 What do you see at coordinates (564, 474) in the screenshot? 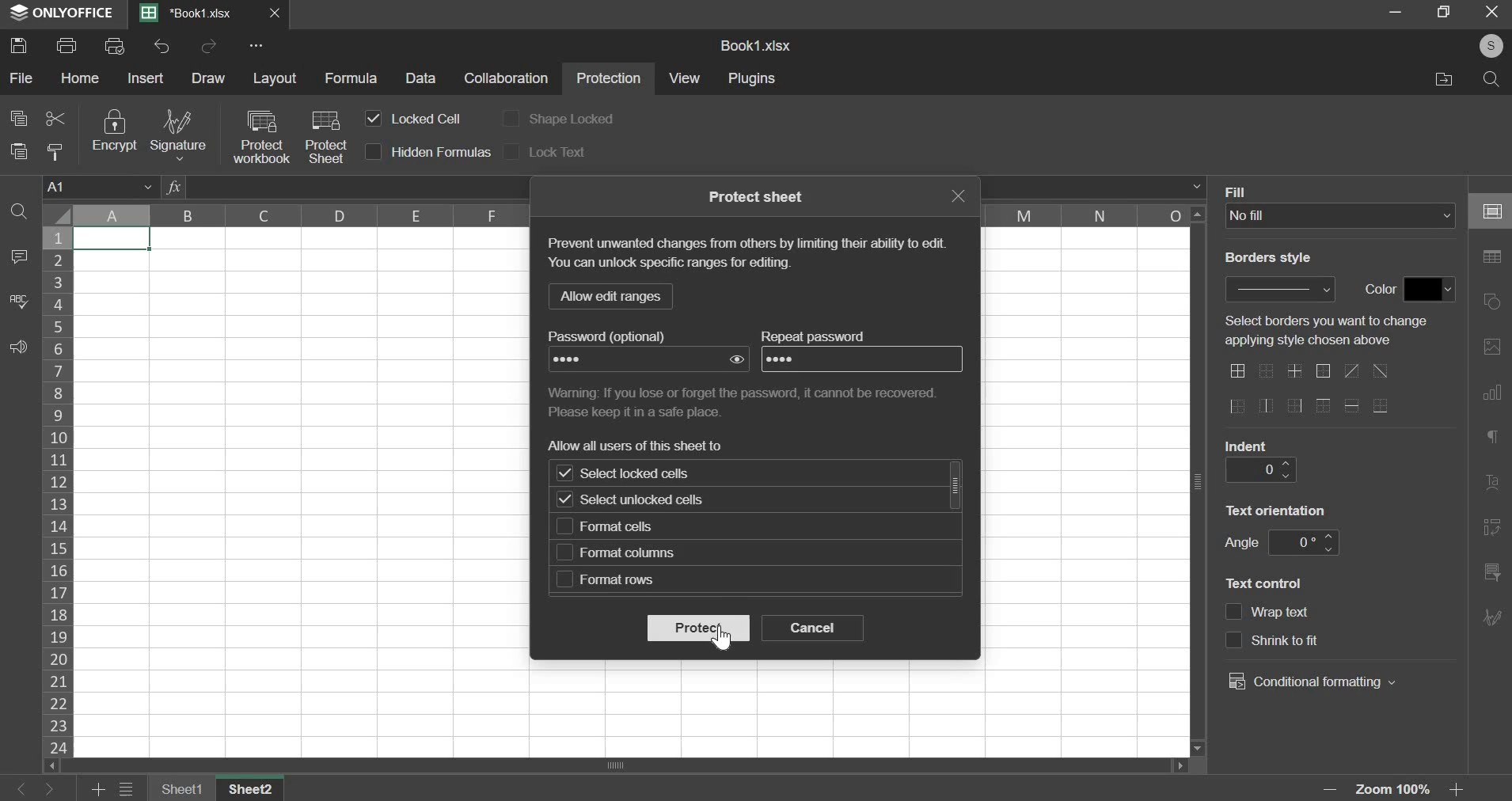
I see `checkbox` at bounding box center [564, 474].